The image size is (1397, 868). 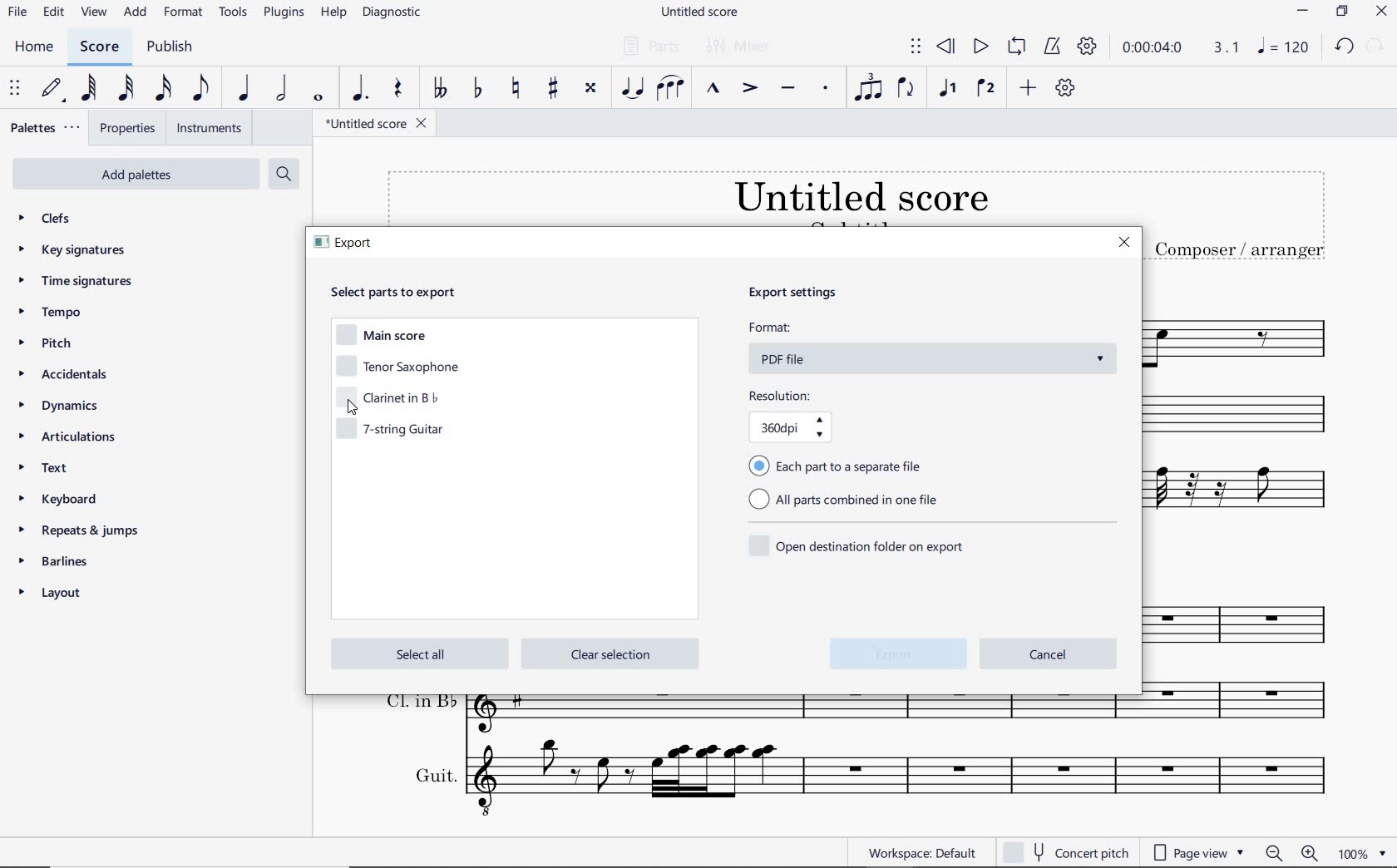 I want to click on FILE NAME, so click(x=376, y=126).